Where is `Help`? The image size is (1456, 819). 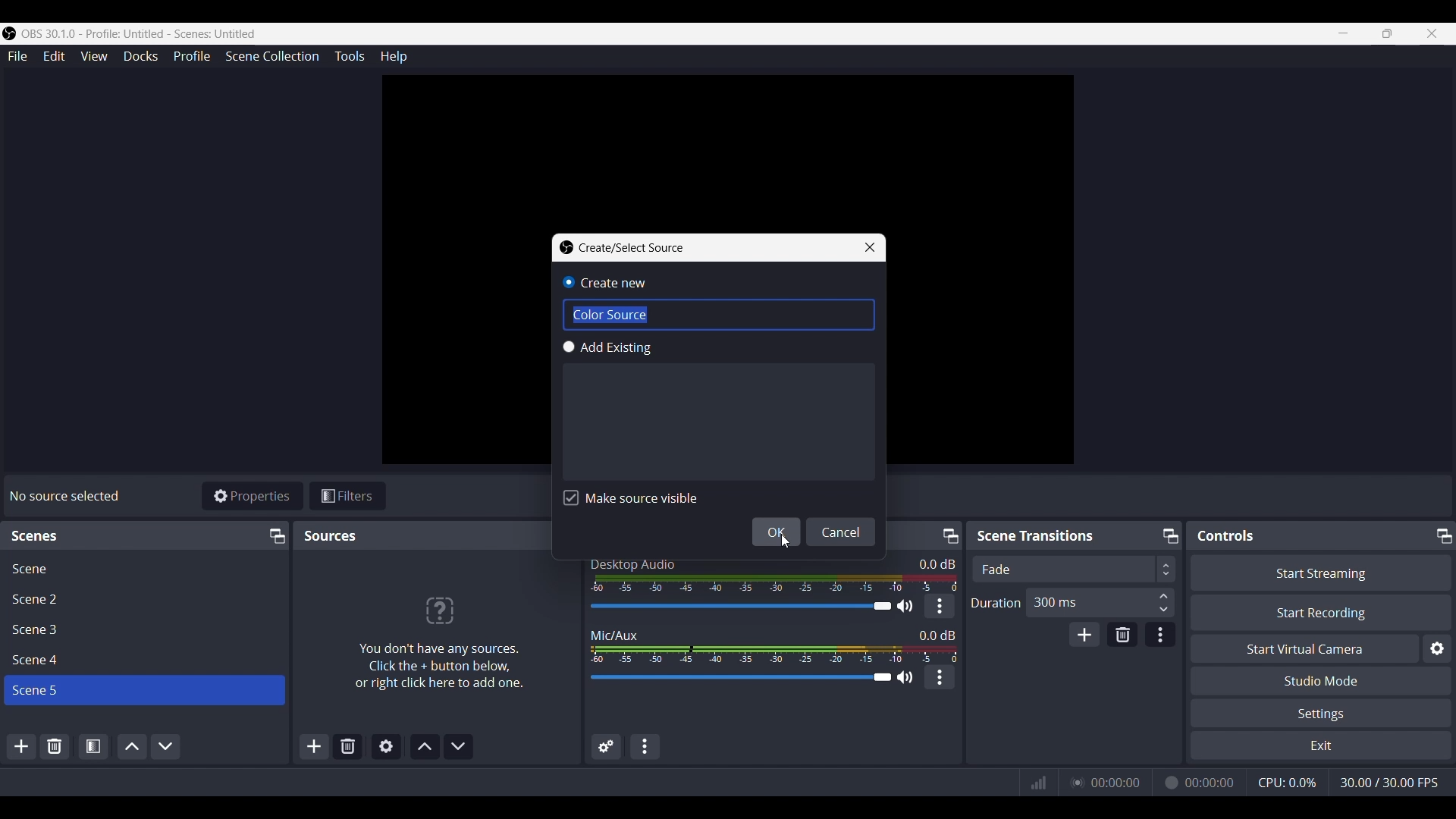
Help is located at coordinates (392, 55).